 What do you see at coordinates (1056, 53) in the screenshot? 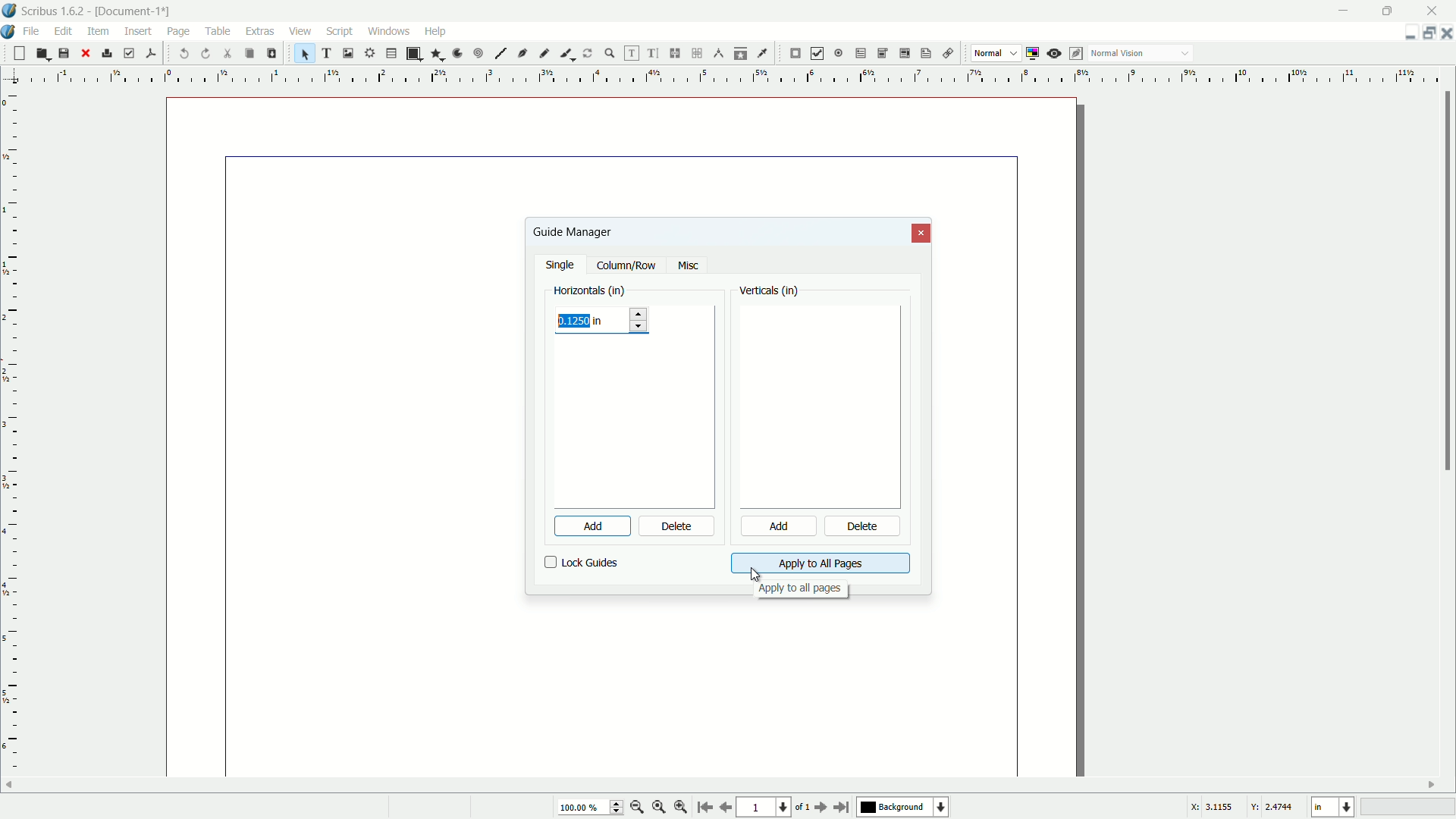
I see `preview mode` at bounding box center [1056, 53].